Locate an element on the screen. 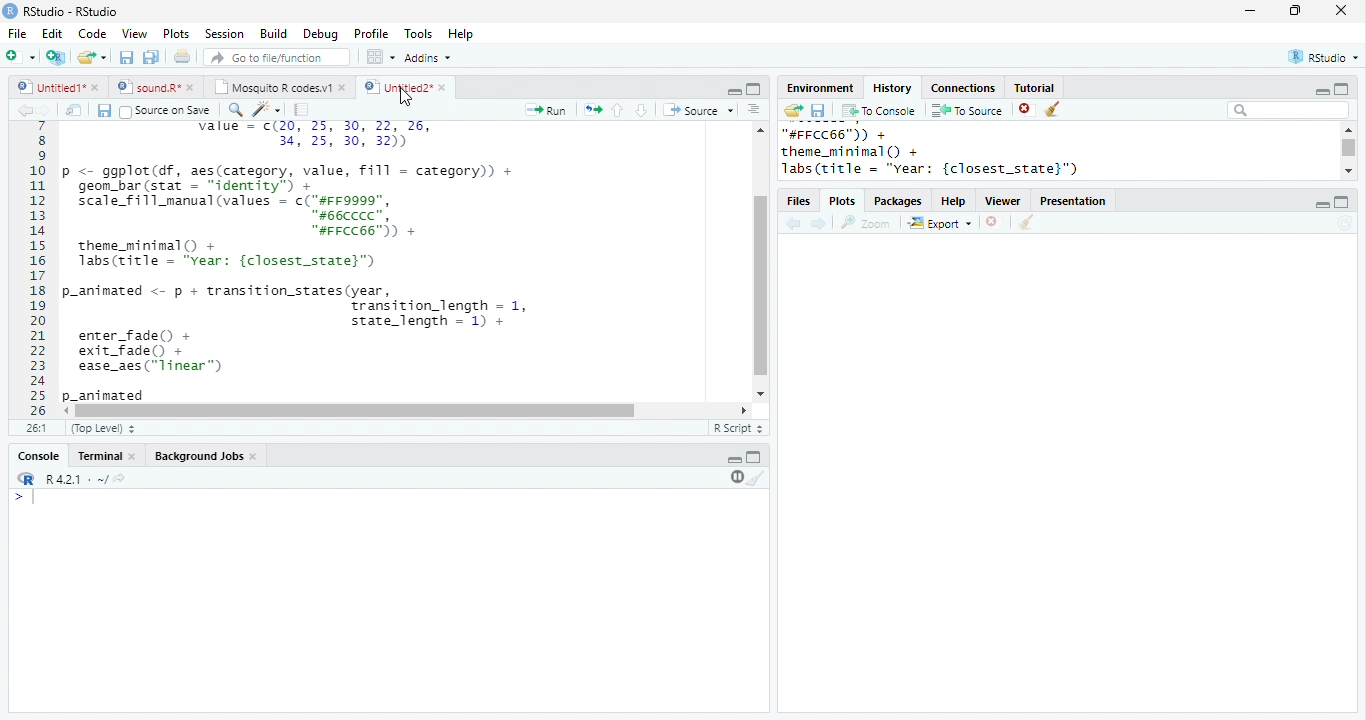  close is located at coordinates (192, 88).